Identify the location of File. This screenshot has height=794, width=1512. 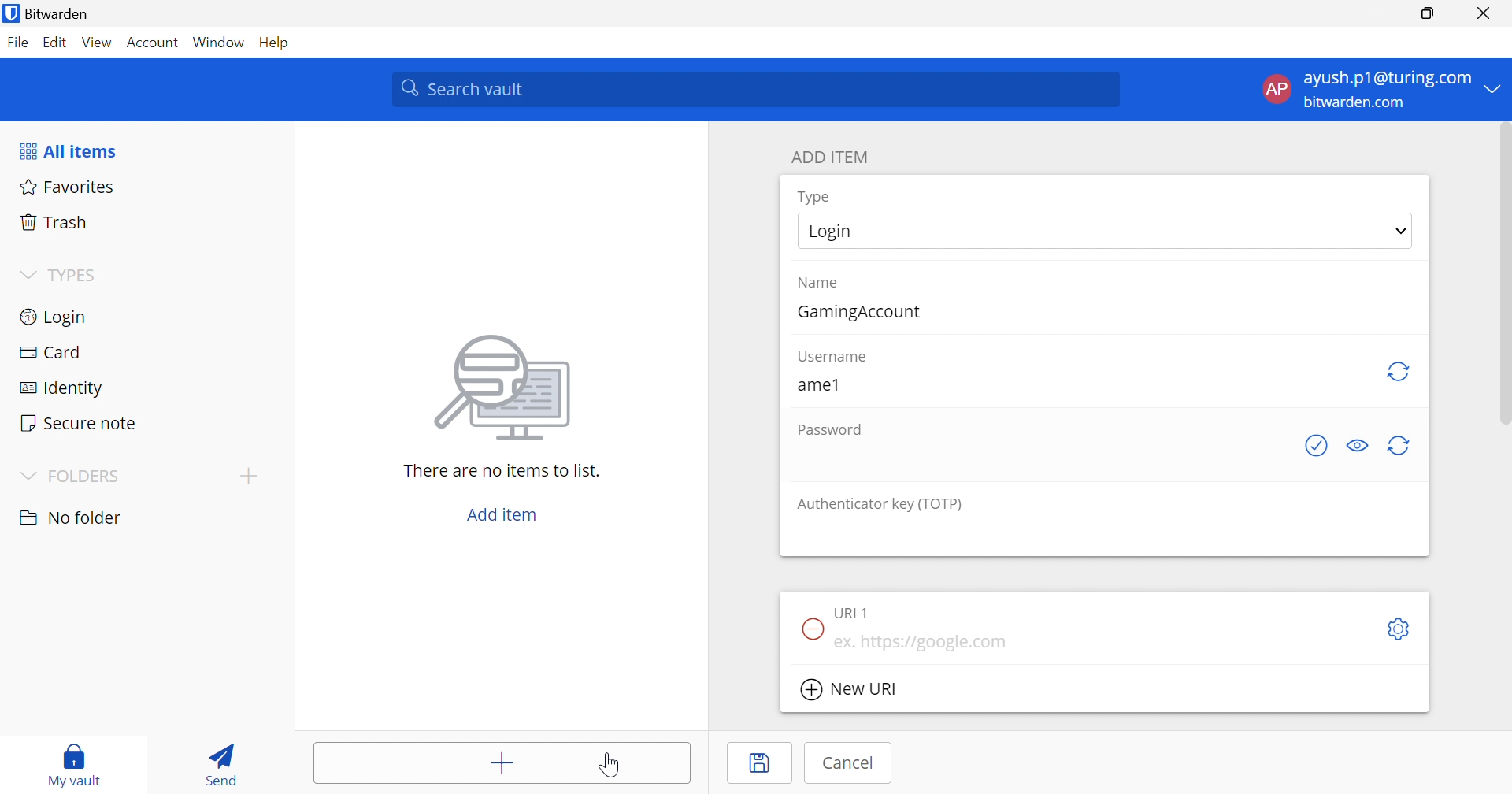
(18, 43).